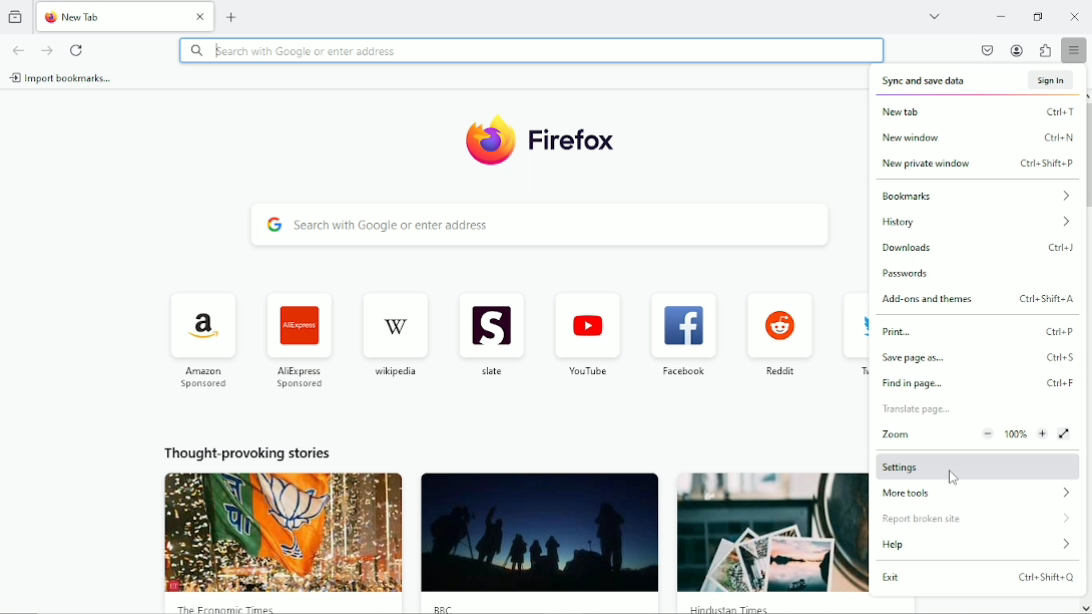 The height and width of the screenshot is (614, 1092). What do you see at coordinates (975, 111) in the screenshot?
I see `New tab Ctrl+T` at bounding box center [975, 111].